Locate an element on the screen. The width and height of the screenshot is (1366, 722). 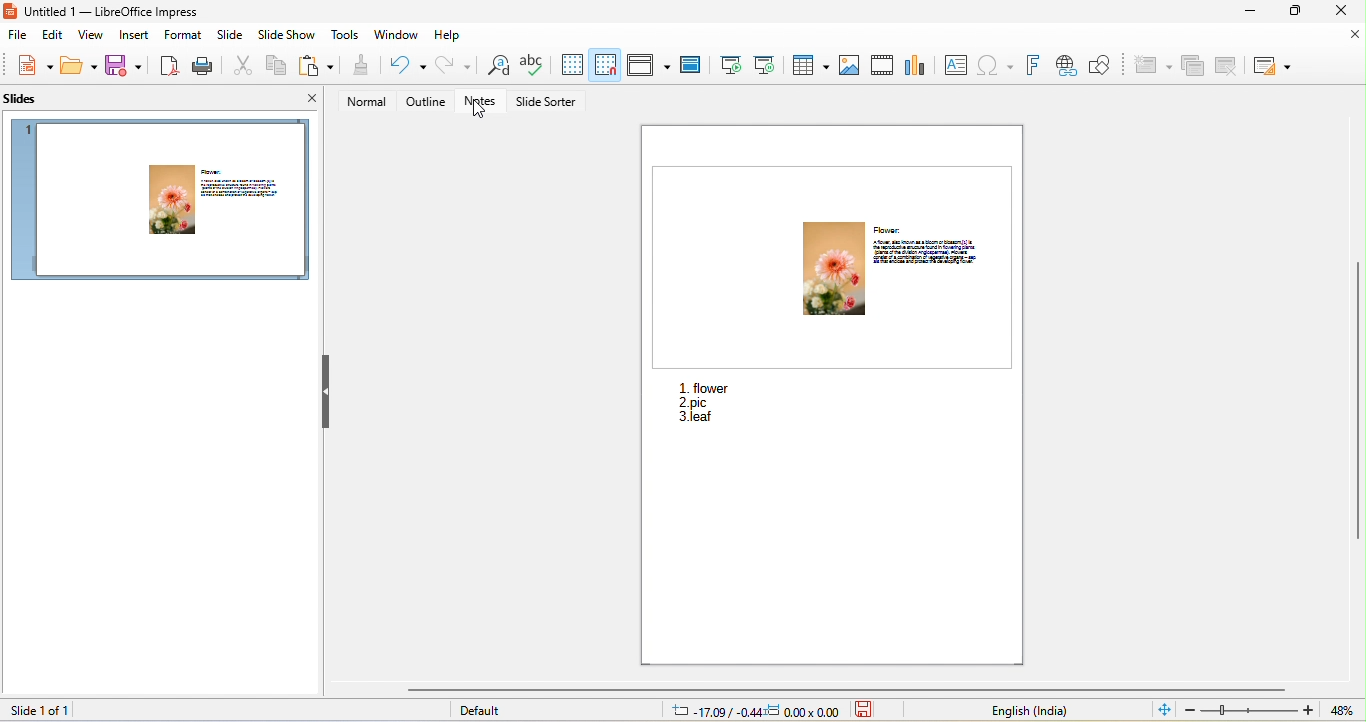
caclultaion options is located at coordinates (1153, 66).